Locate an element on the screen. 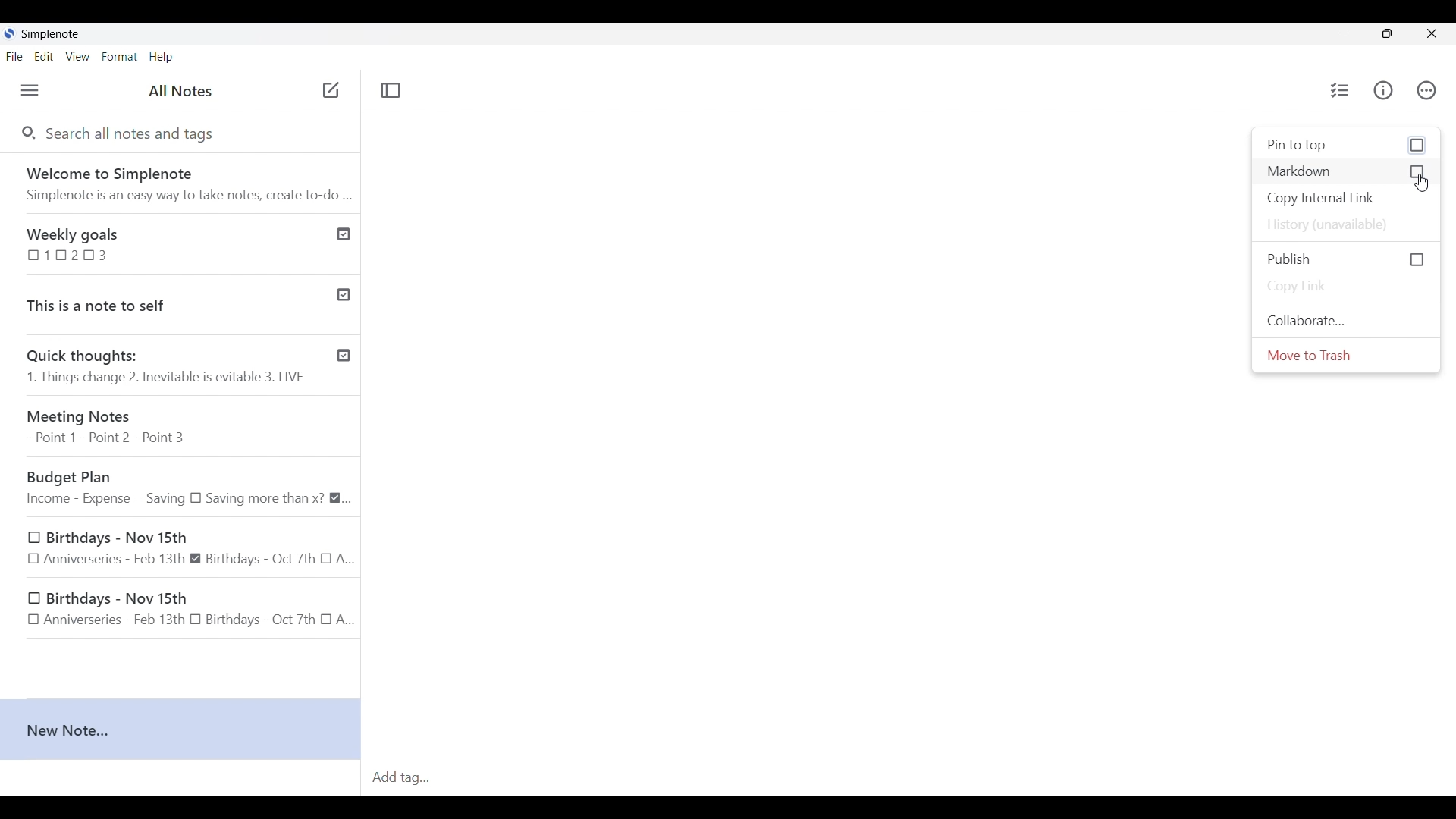 This screenshot has height=819, width=1456. New note is located at coordinates (180, 730).